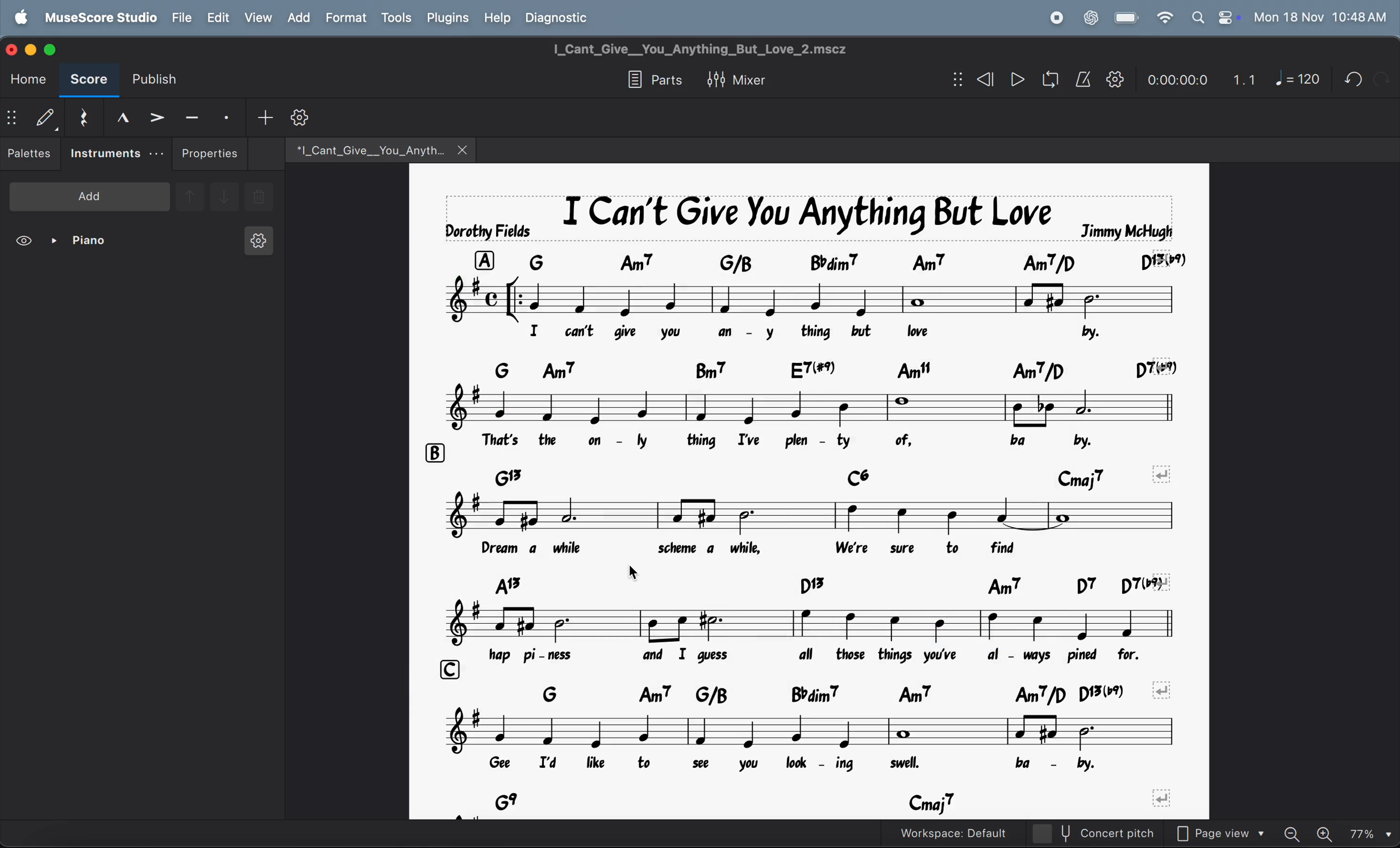 The height and width of the screenshot is (848, 1400). What do you see at coordinates (1115, 79) in the screenshot?
I see `playback setting` at bounding box center [1115, 79].